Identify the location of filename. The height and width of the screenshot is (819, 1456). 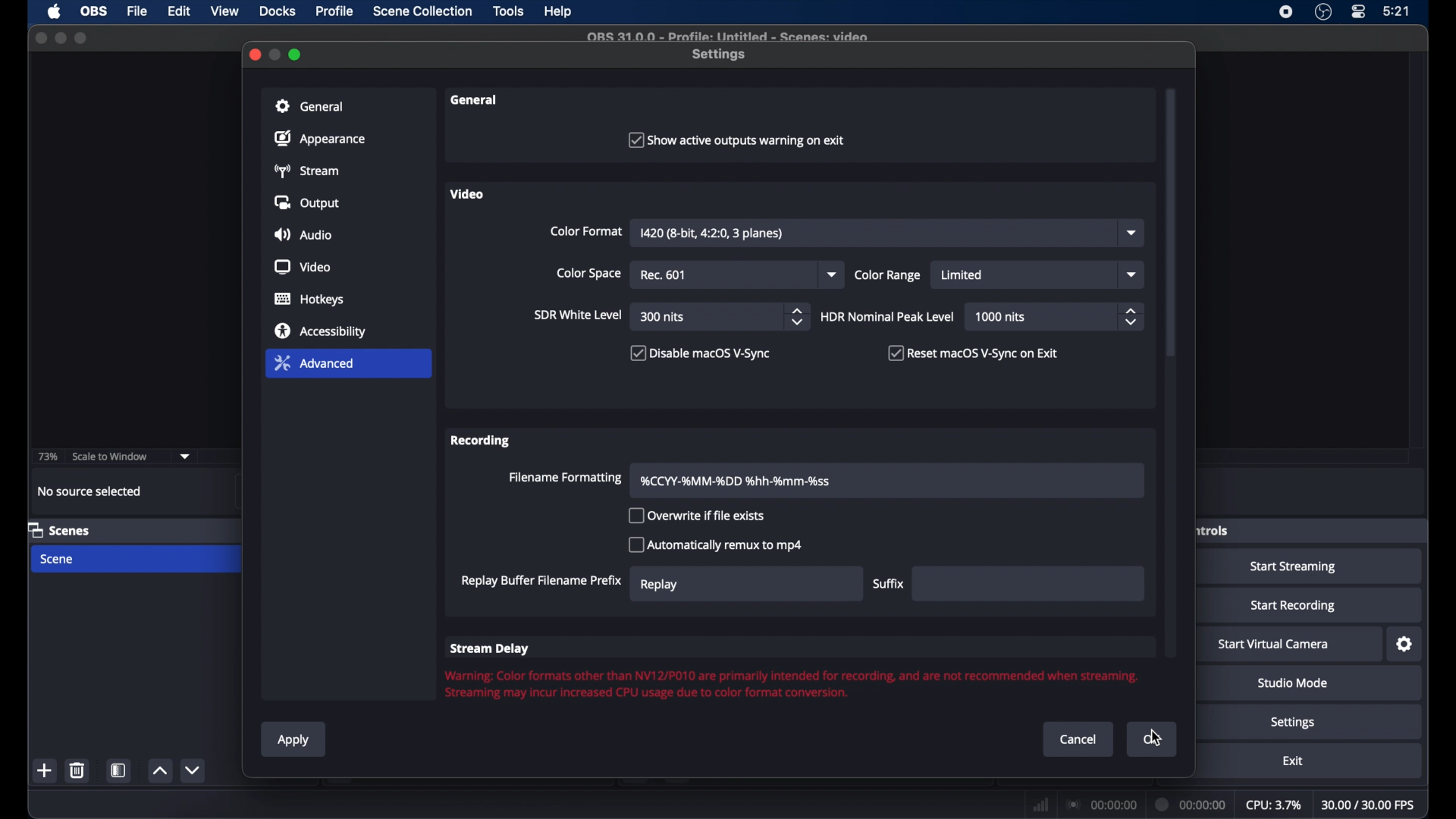
(734, 482).